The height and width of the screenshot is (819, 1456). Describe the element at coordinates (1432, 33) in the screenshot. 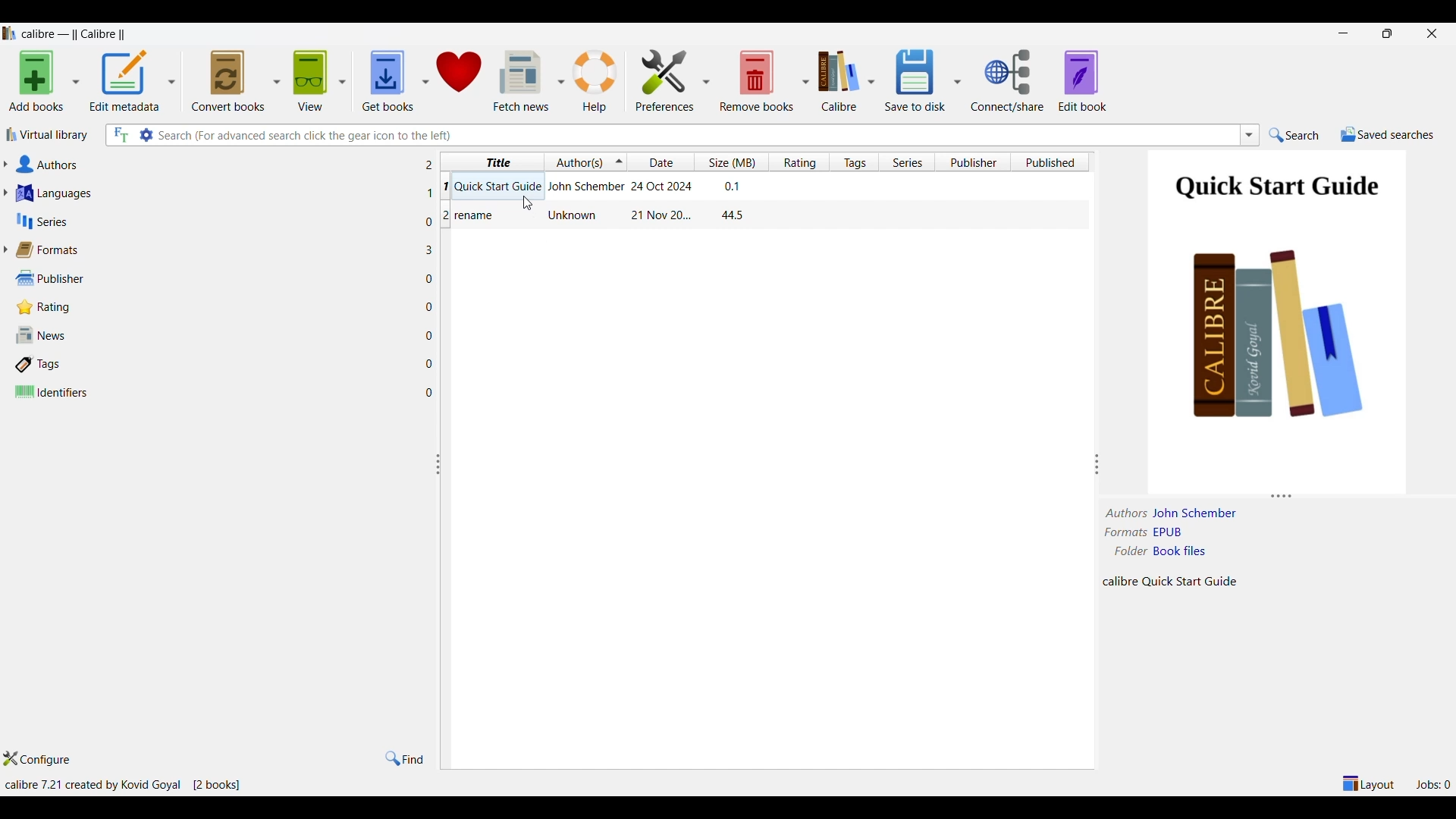

I see `Close interface` at that location.